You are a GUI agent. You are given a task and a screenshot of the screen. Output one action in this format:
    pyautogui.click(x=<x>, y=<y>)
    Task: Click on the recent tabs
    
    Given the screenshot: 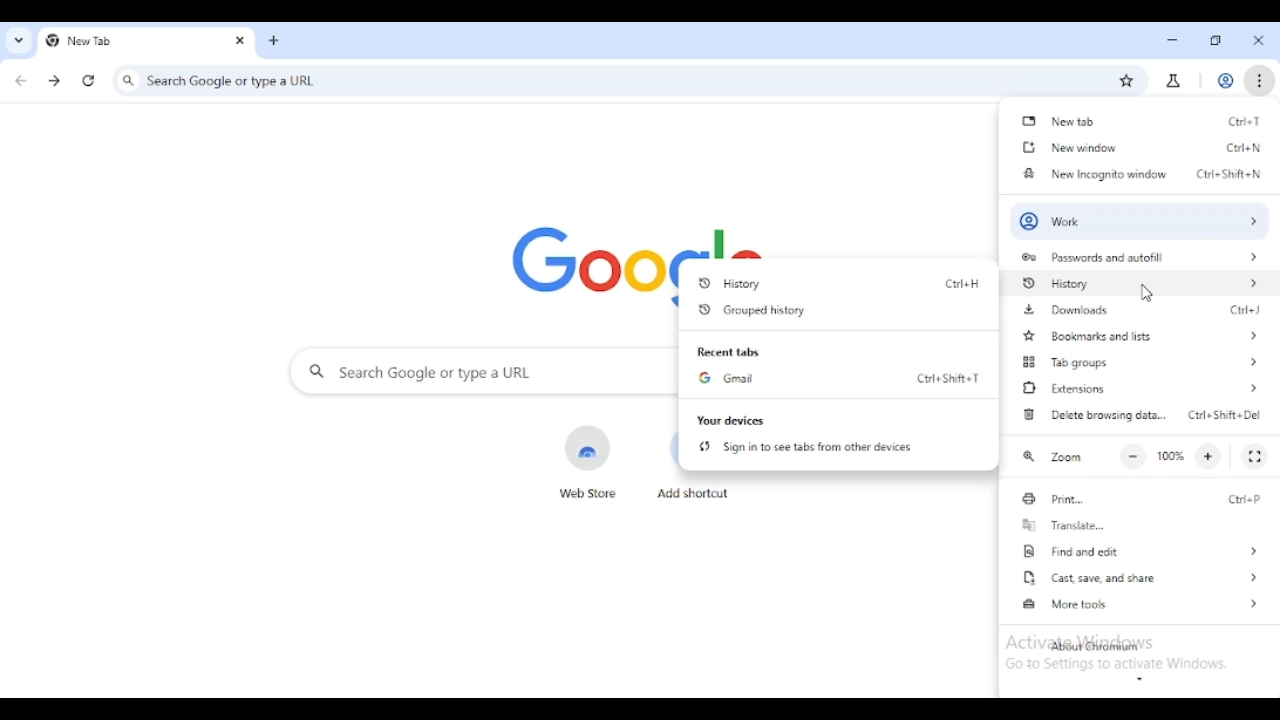 What is the action you would take?
    pyautogui.click(x=727, y=352)
    